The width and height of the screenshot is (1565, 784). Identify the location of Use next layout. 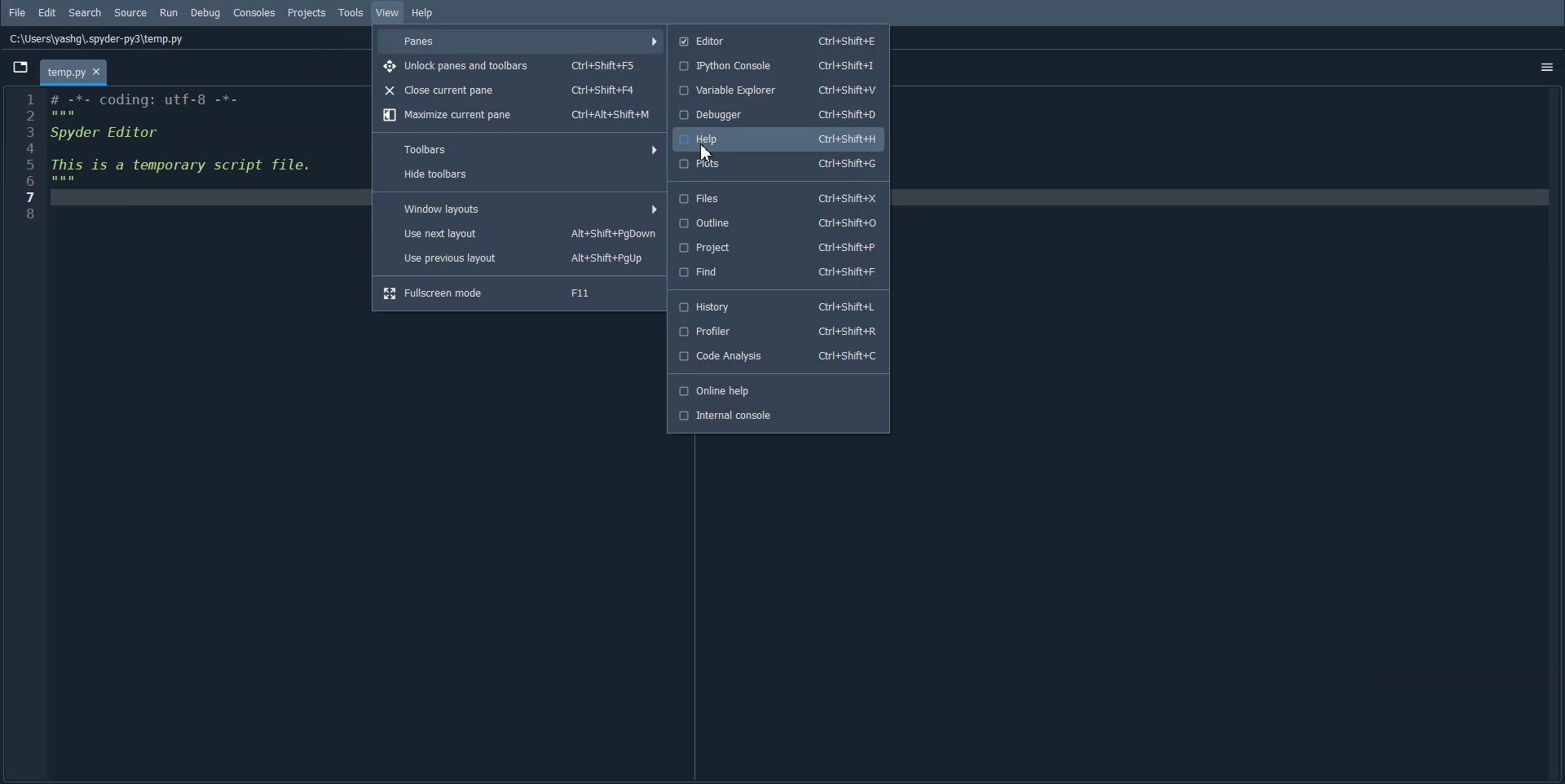
(520, 231).